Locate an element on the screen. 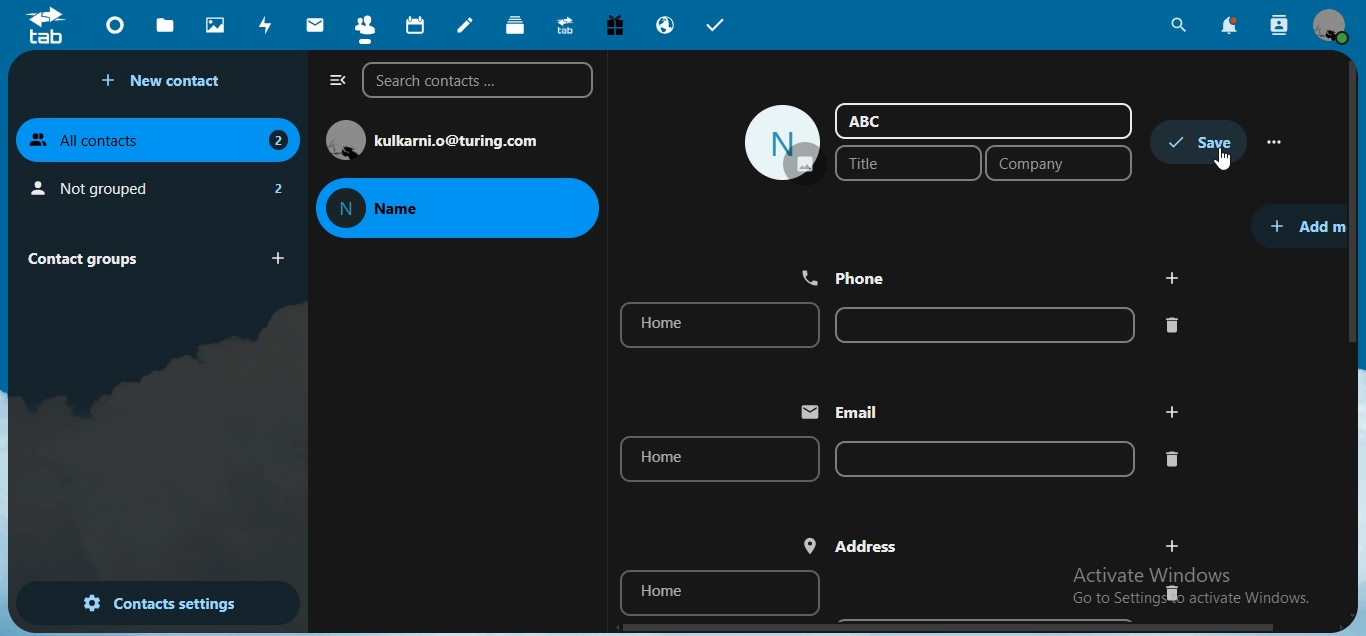 This screenshot has height=636, width=1366. home is located at coordinates (721, 592).